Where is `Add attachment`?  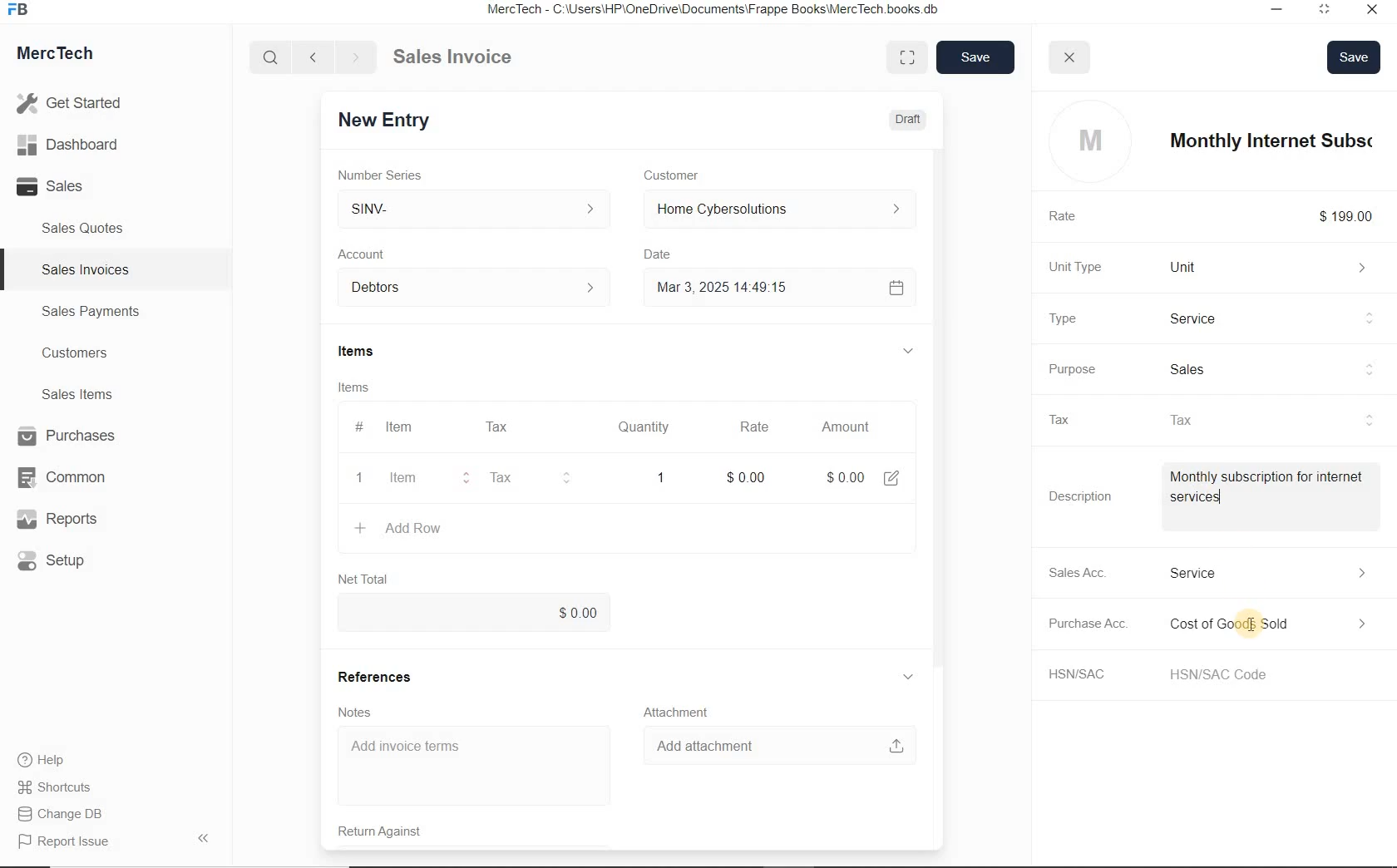 Add attachment is located at coordinates (770, 745).